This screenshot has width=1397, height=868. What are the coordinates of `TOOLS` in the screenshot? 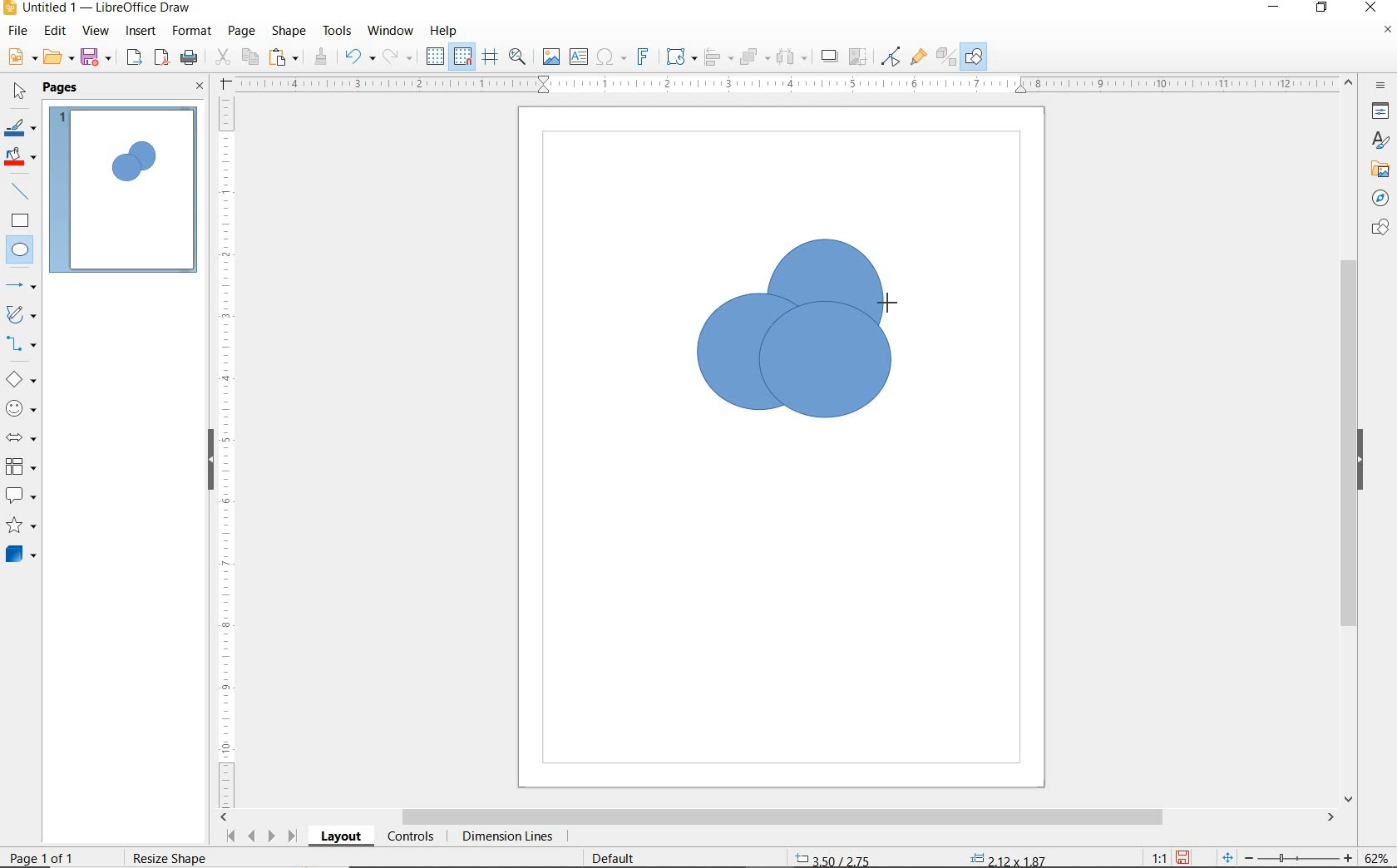 It's located at (337, 30).